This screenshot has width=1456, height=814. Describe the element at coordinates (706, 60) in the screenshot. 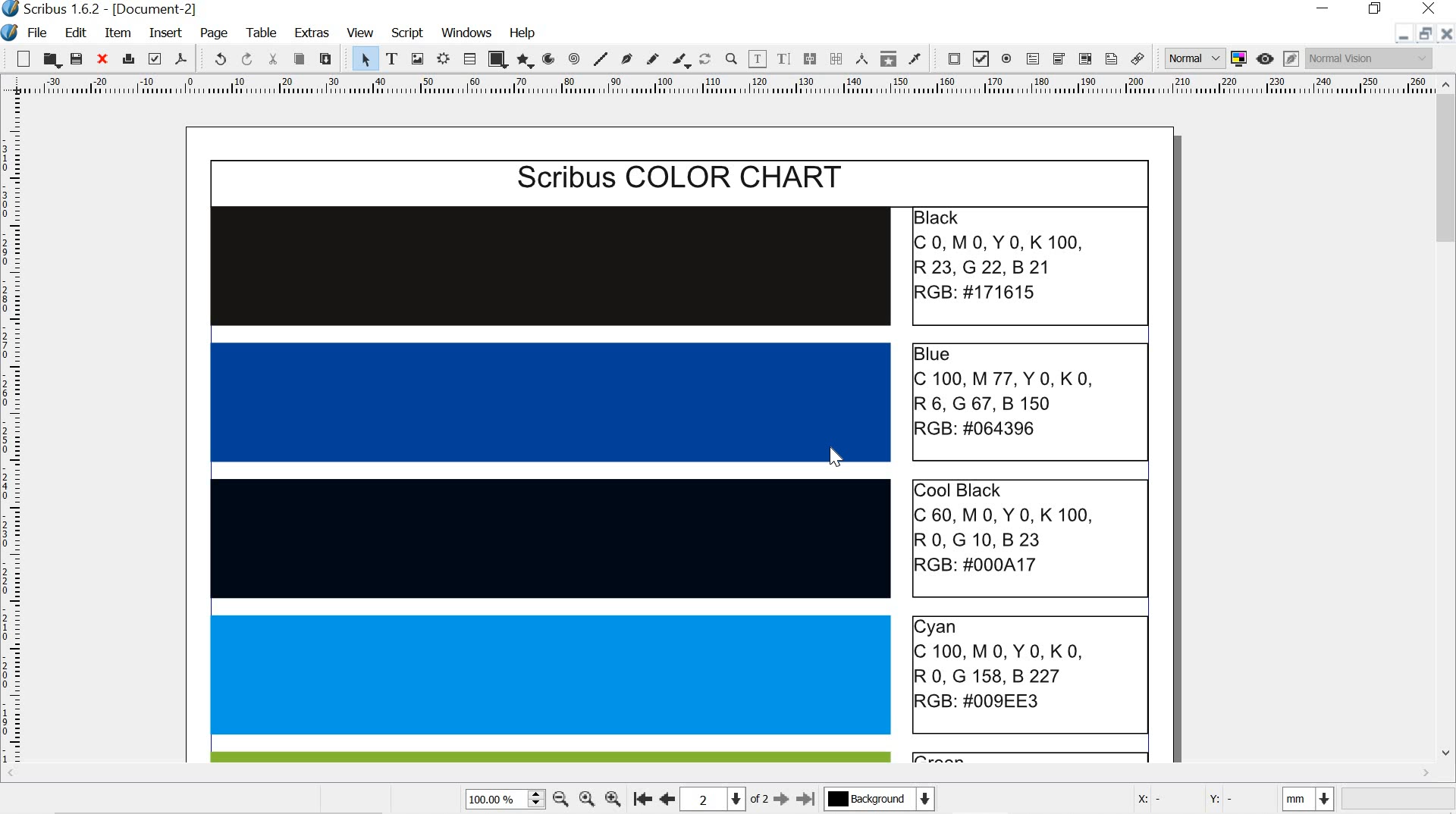

I see `rotate` at that location.